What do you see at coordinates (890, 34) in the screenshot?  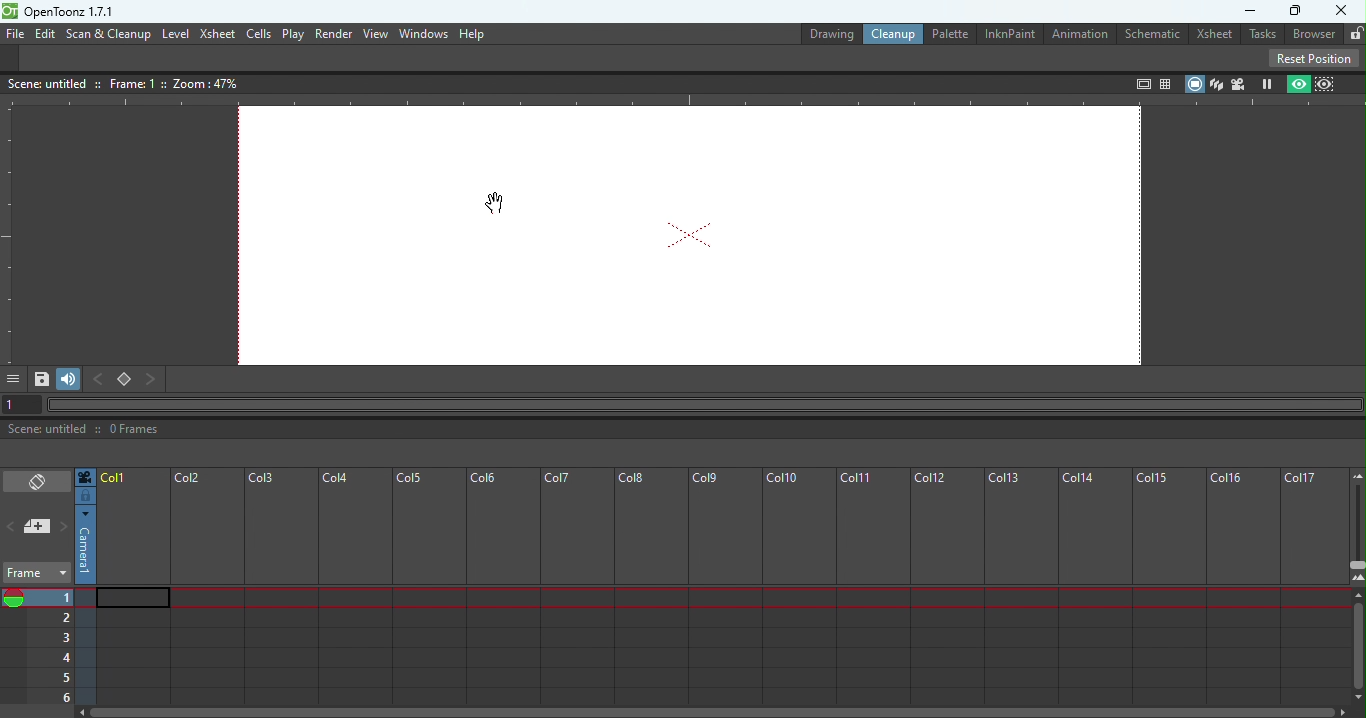 I see `Clean up` at bounding box center [890, 34].